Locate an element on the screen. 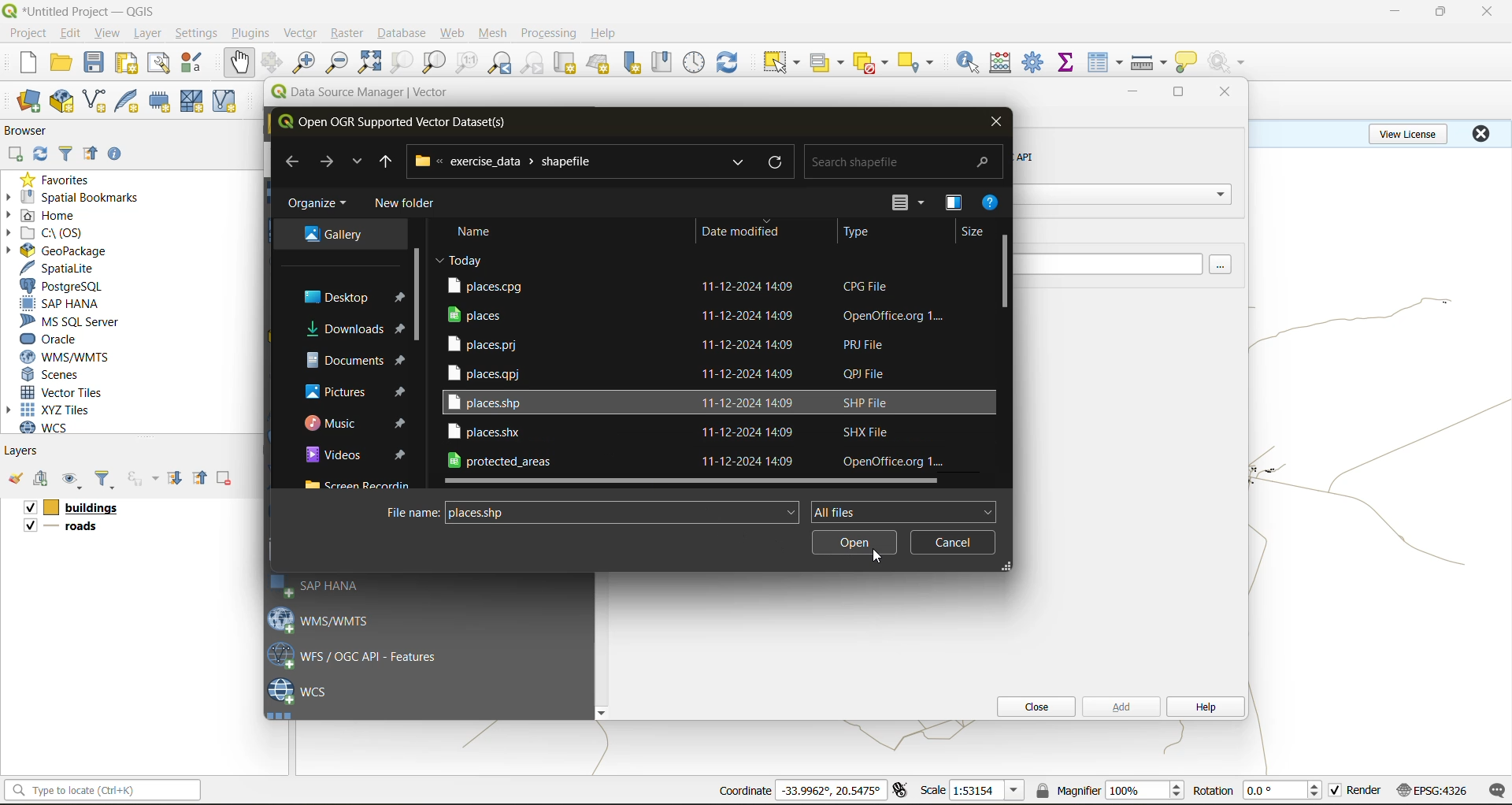  layers is located at coordinates (23, 450).